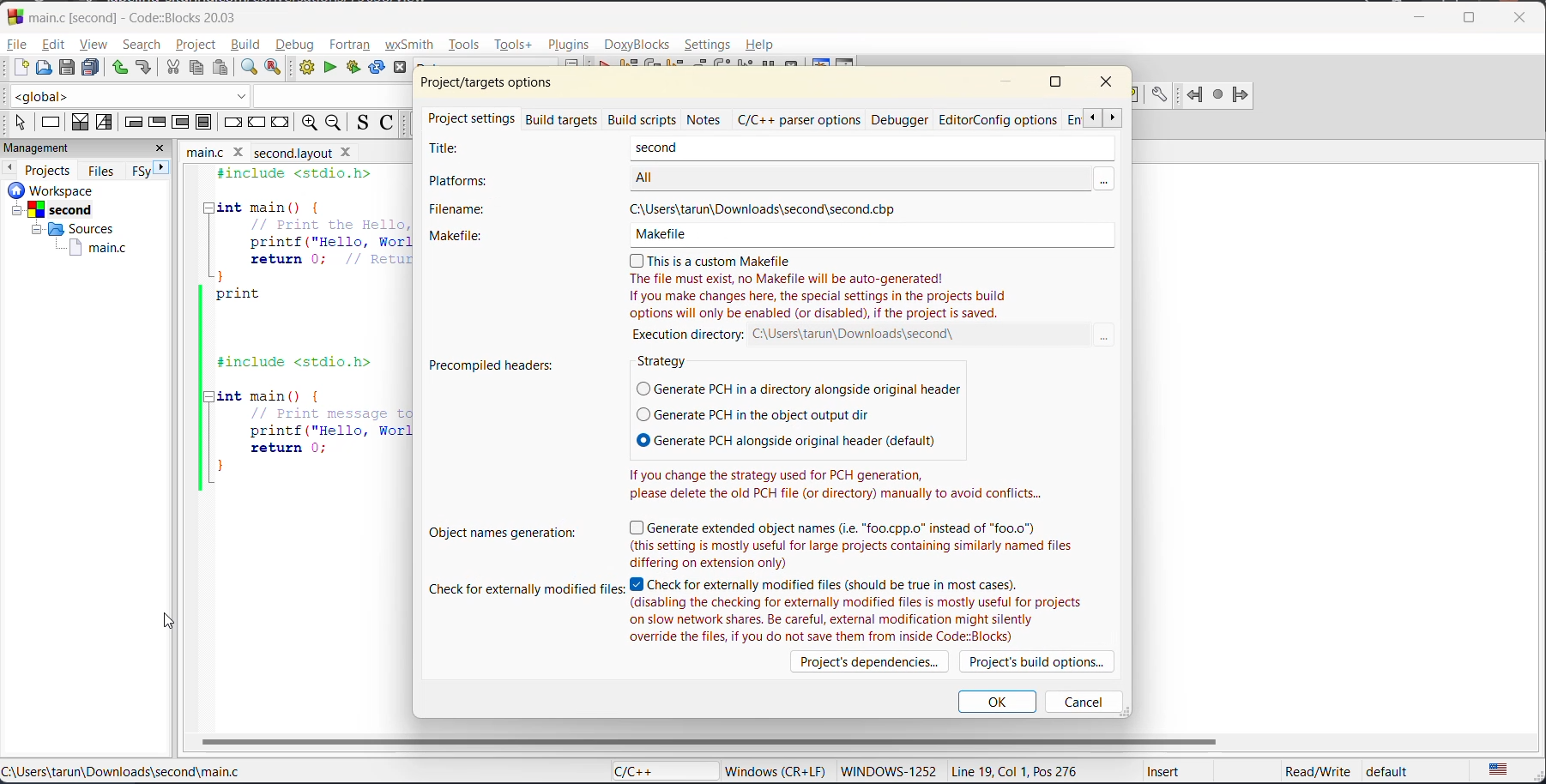 This screenshot has width=1546, height=784. I want to click on find, so click(244, 67).